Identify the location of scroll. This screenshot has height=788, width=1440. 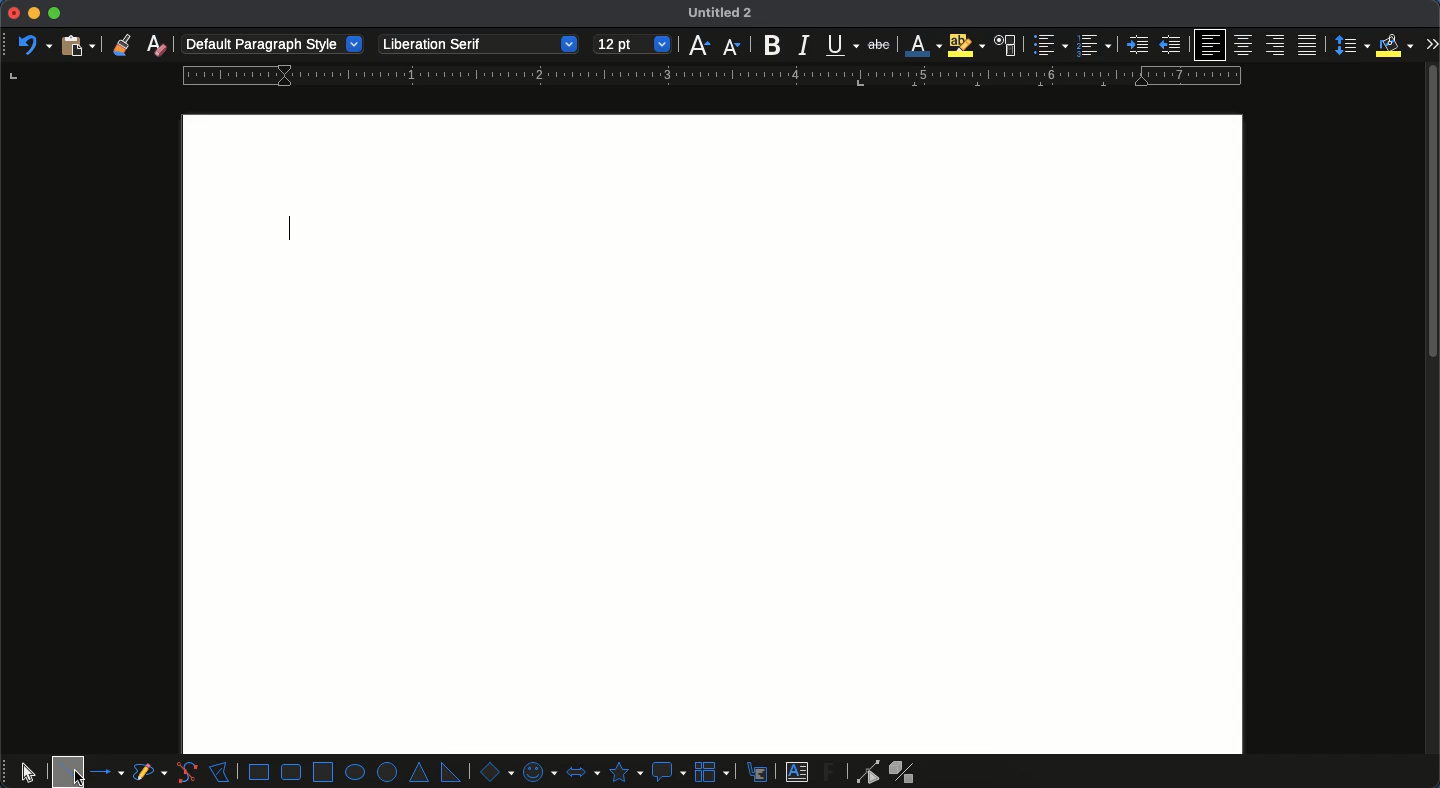
(1431, 425).